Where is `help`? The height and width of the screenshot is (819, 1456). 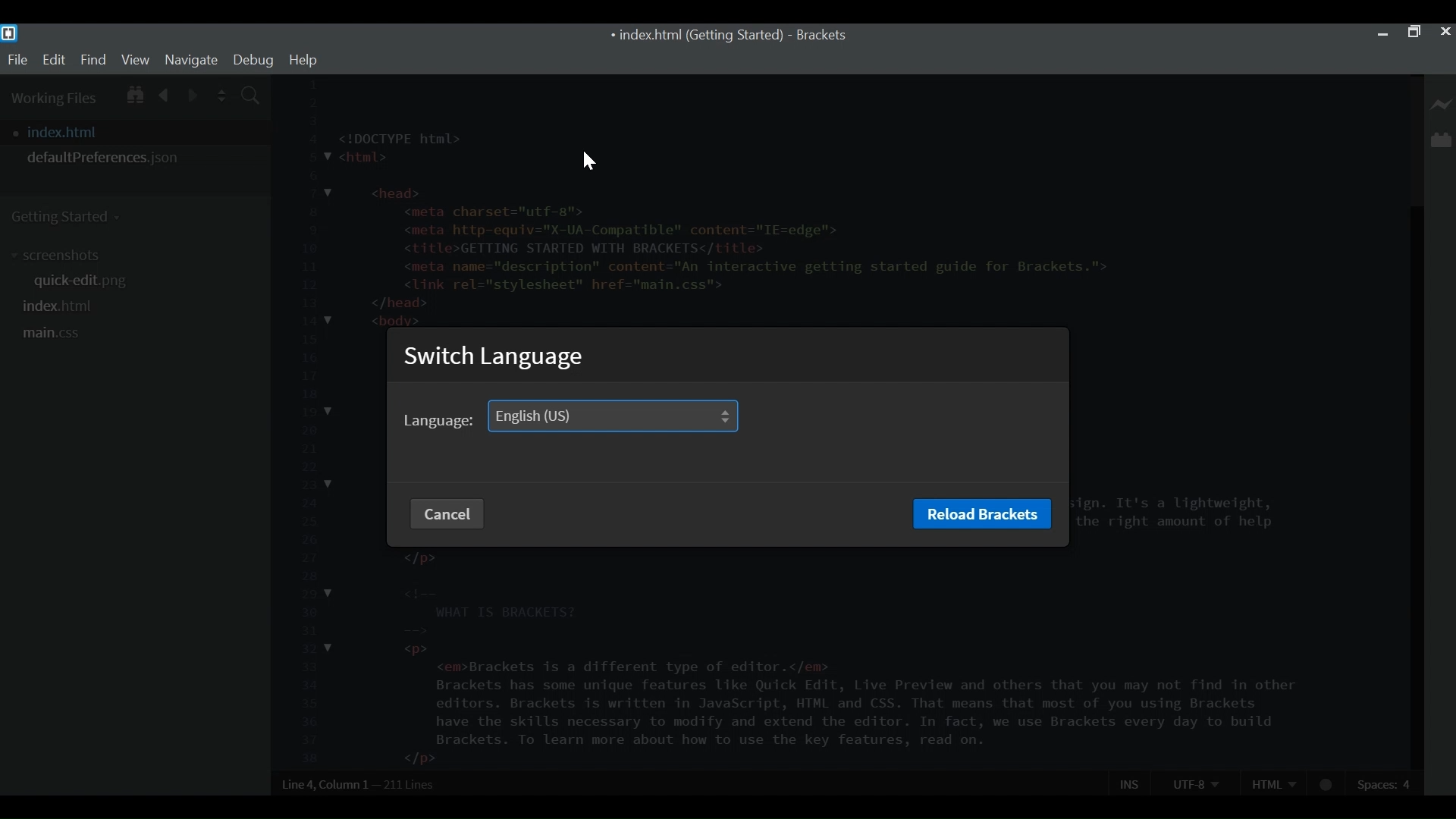 help is located at coordinates (303, 60).